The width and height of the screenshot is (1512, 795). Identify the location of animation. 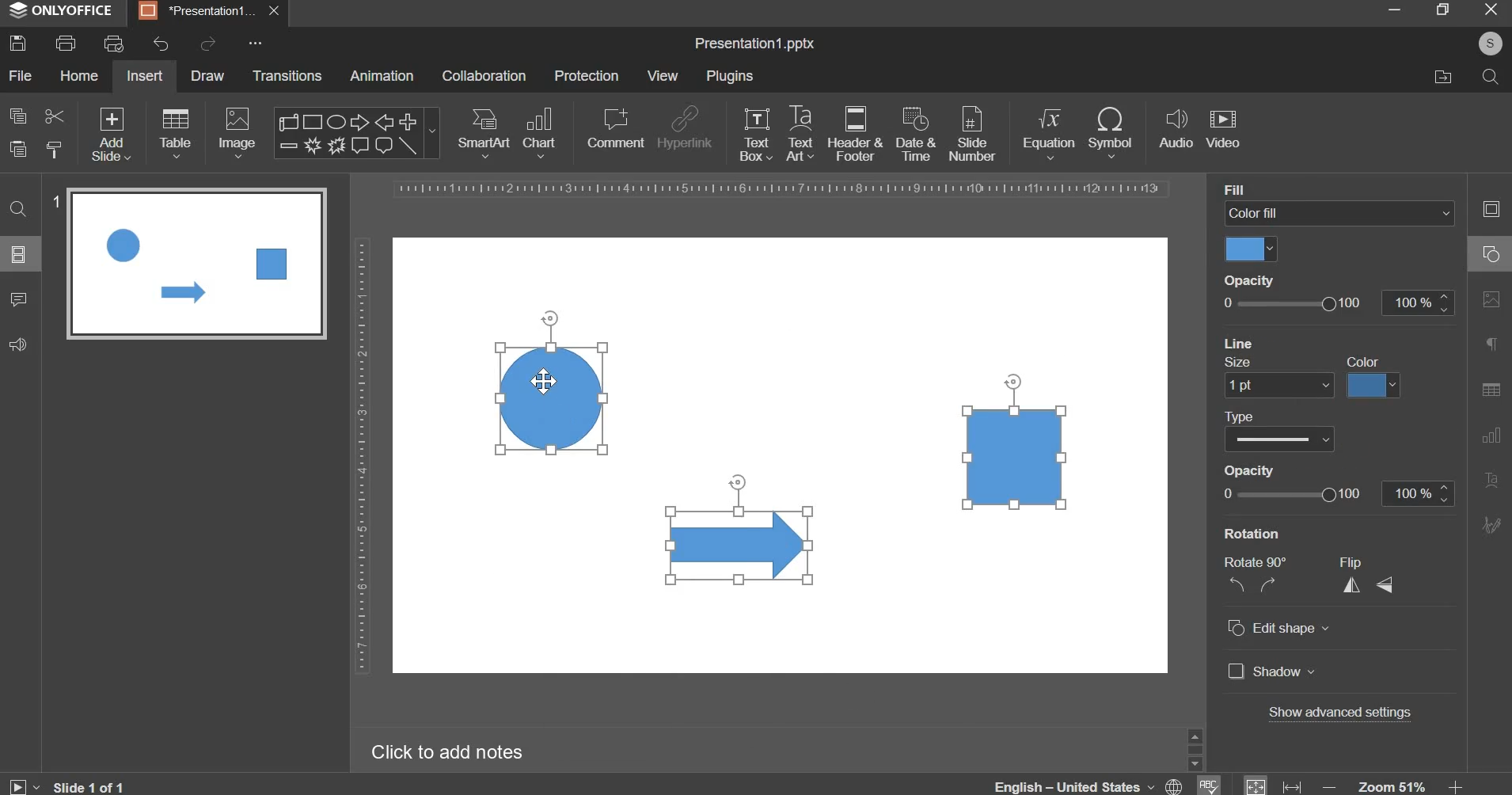
(382, 75).